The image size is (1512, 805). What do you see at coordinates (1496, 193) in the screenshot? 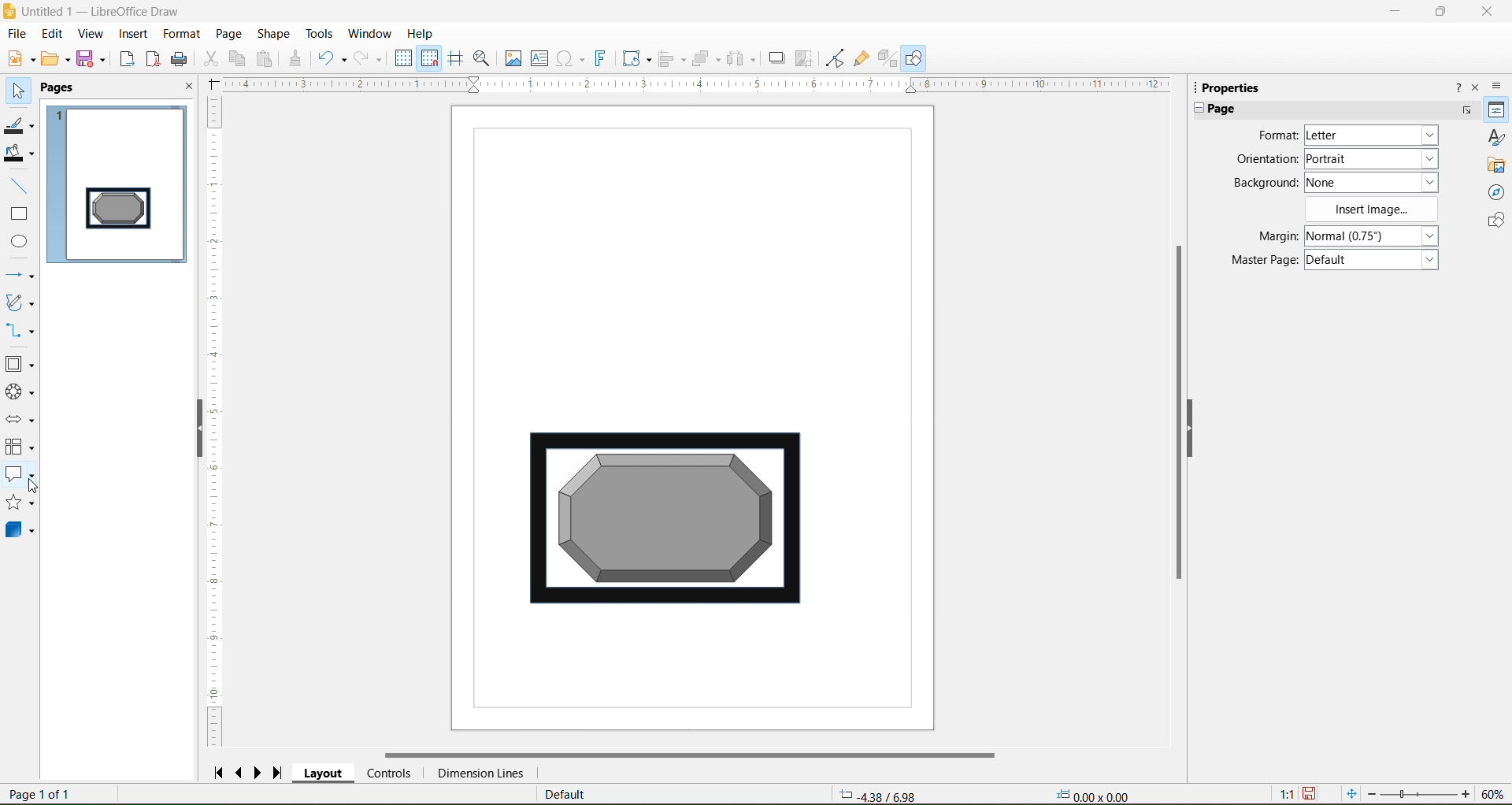
I see `Navigator` at bounding box center [1496, 193].